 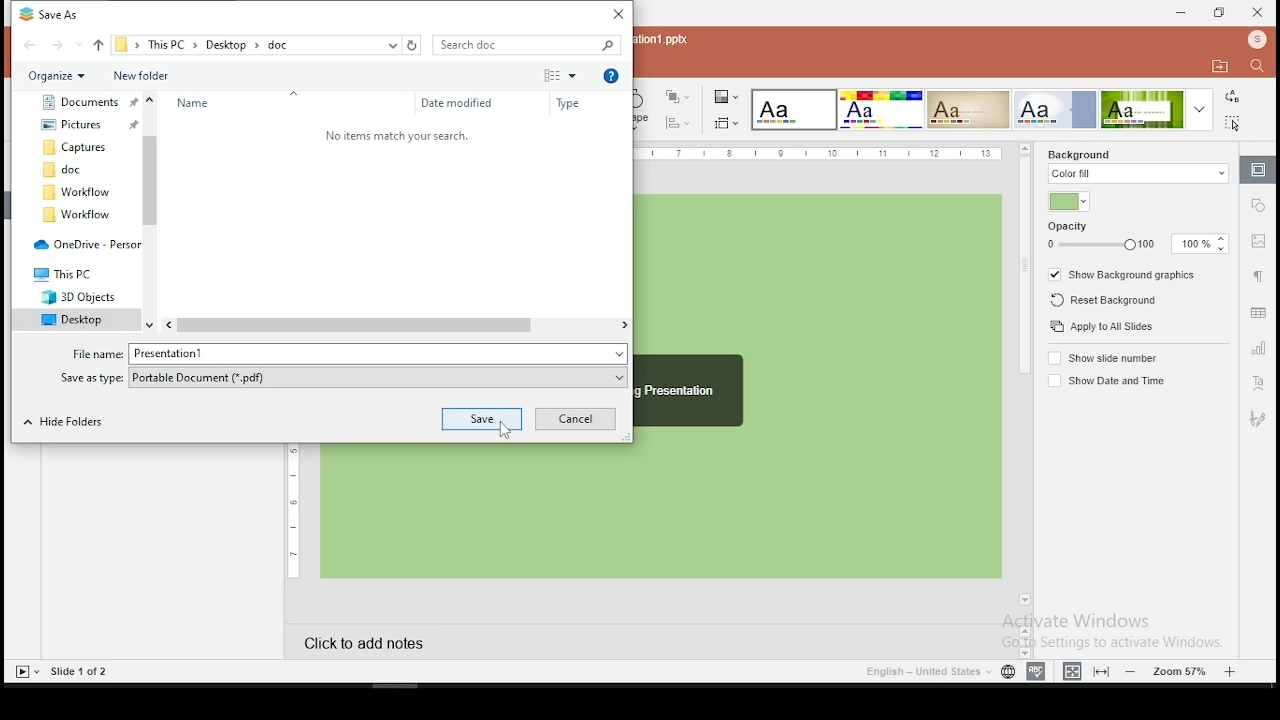 I want to click on Pictures, so click(x=87, y=122).